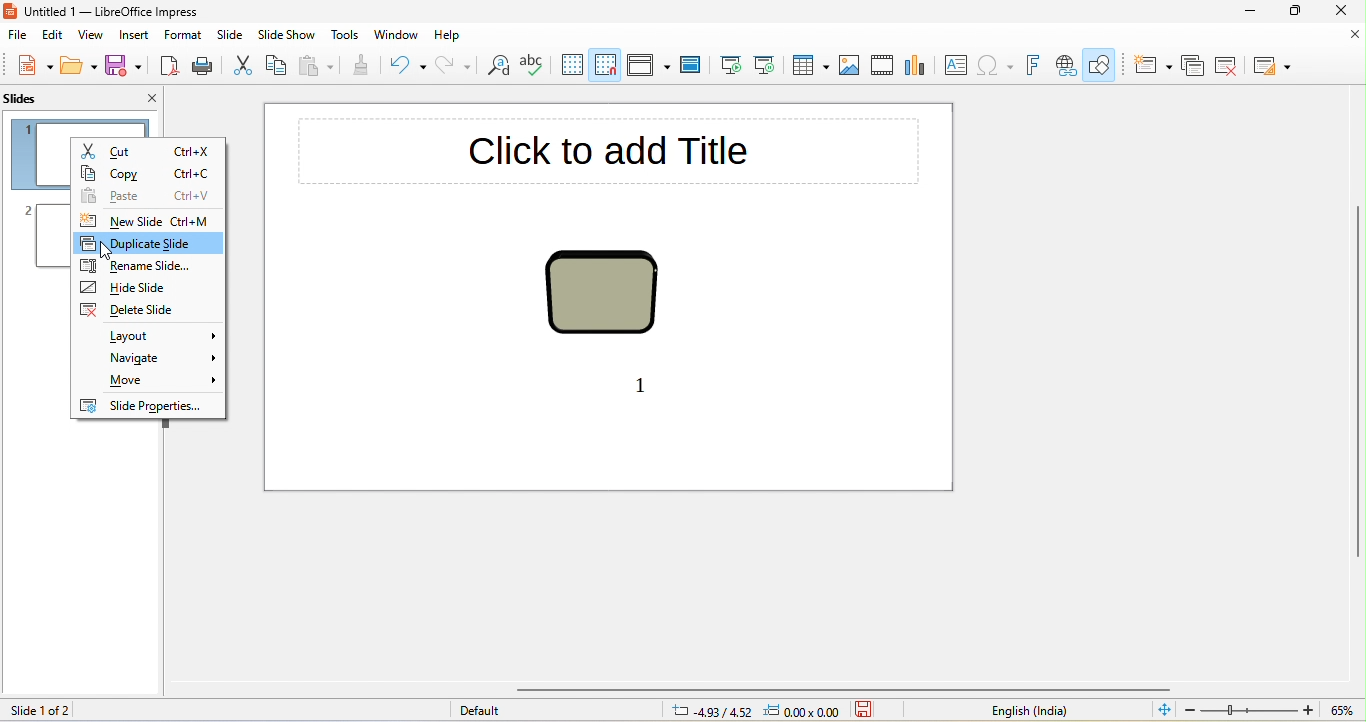 This screenshot has height=722, width=1366. What do you see at coordinates (123, 288) in the screenshot?
I see `hide slide` at bounding box center [123, 288].